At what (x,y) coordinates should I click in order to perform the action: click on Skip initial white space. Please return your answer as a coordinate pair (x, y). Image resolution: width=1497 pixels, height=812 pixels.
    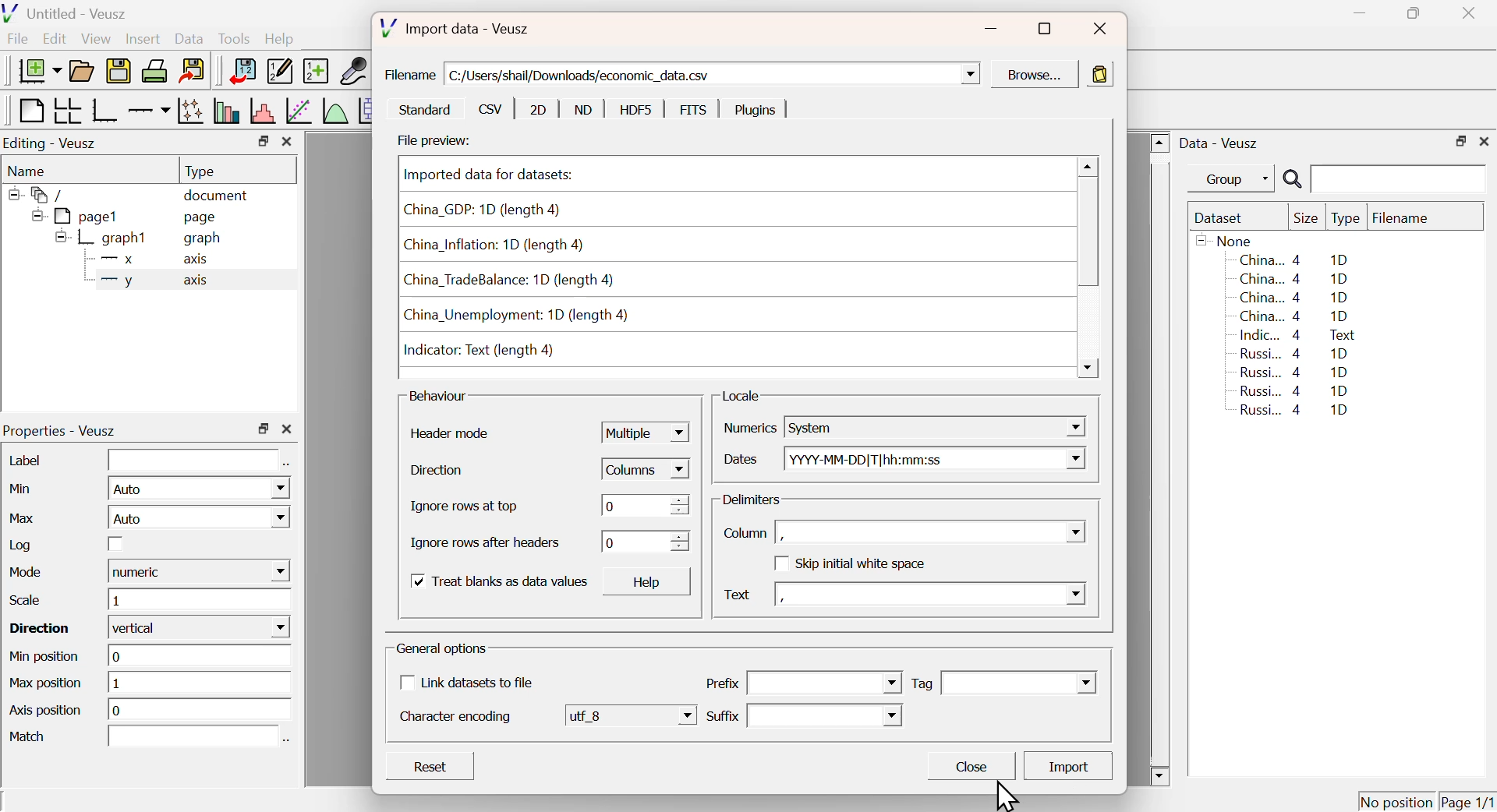
    Looking at the image, I should click on (862, 566).